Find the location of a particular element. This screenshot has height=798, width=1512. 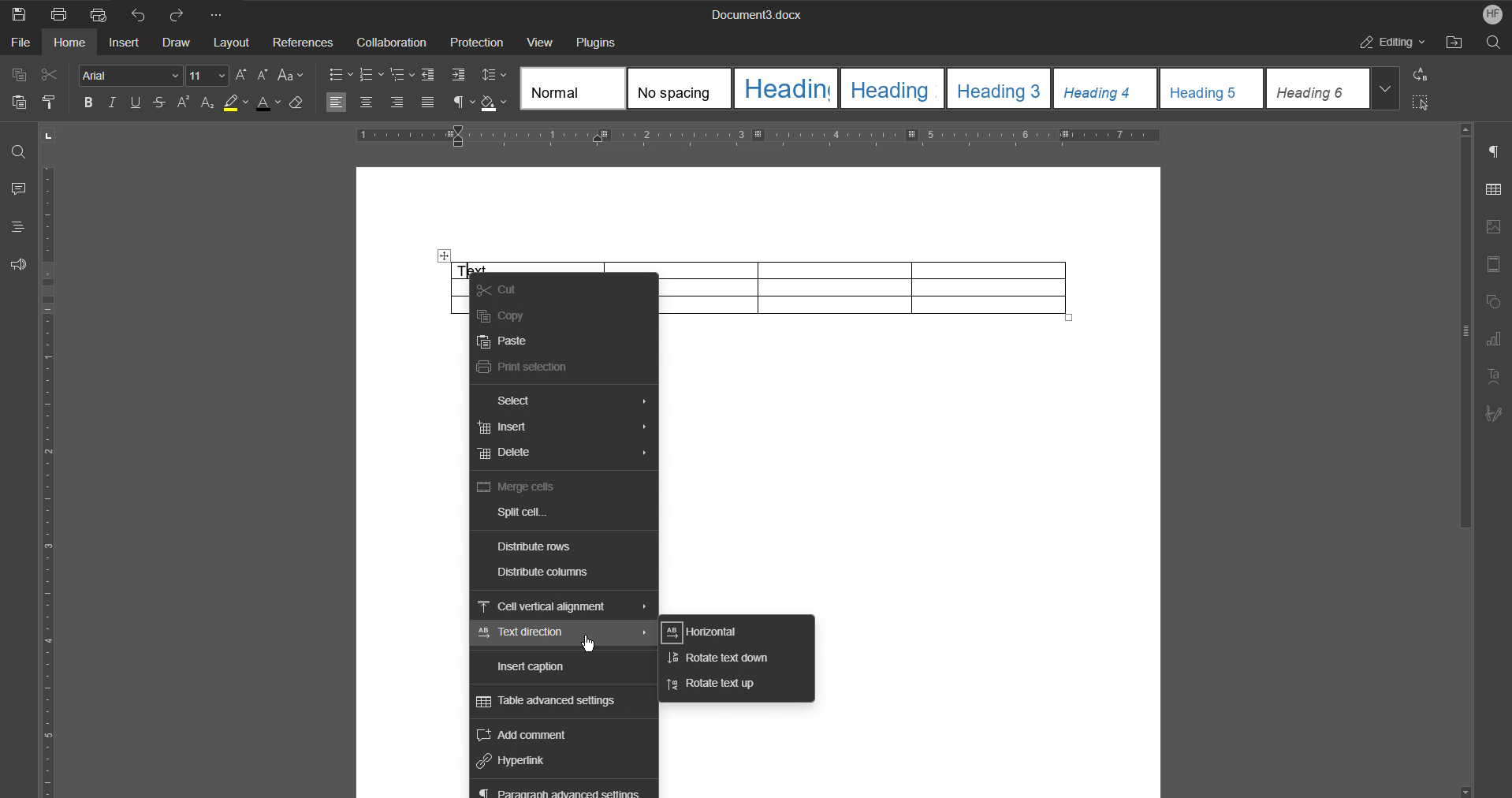

Increase Indent is located at coordinates (460, 76).